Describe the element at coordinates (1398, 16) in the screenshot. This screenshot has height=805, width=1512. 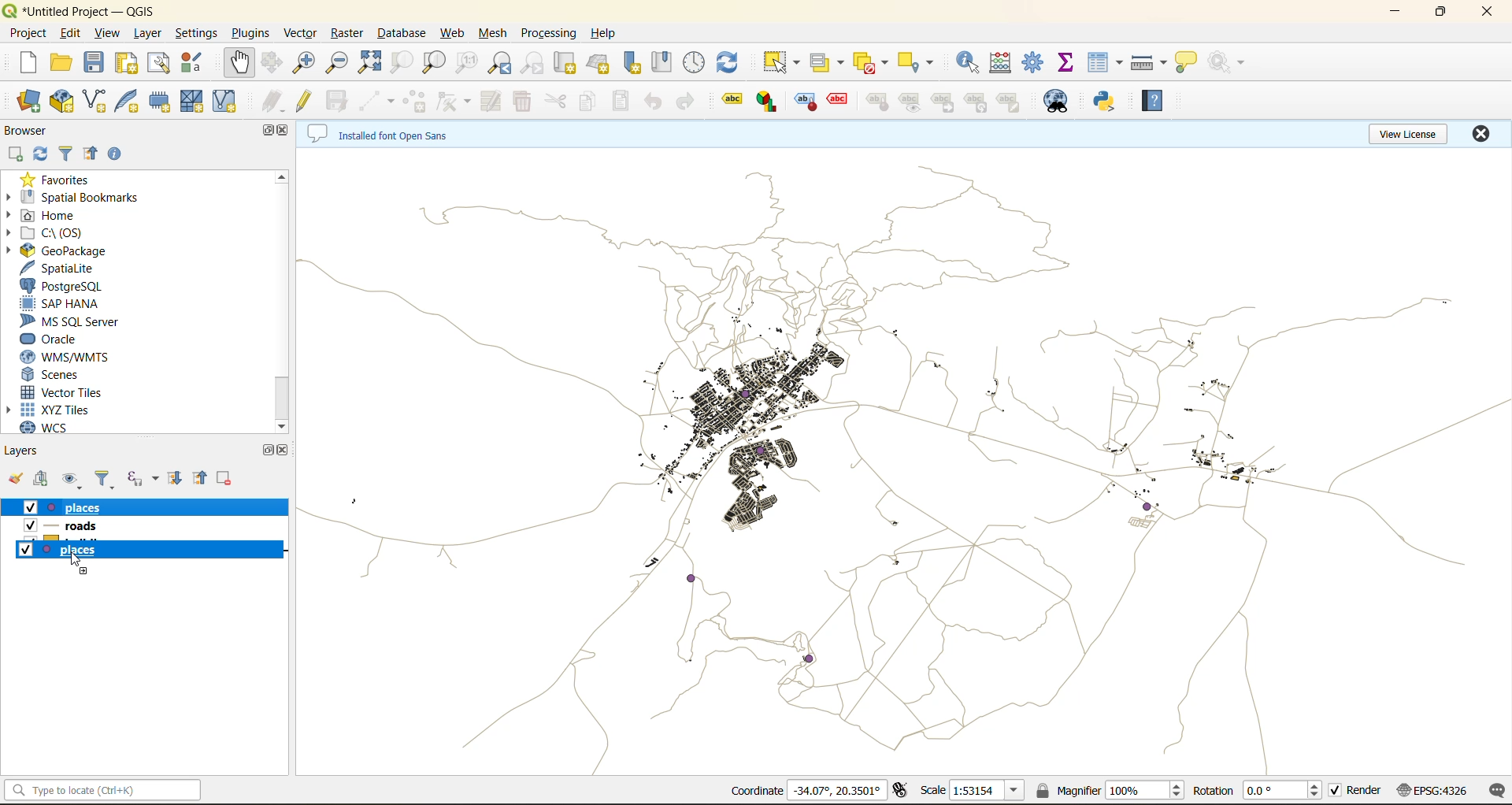
I see `minimize` at that location.